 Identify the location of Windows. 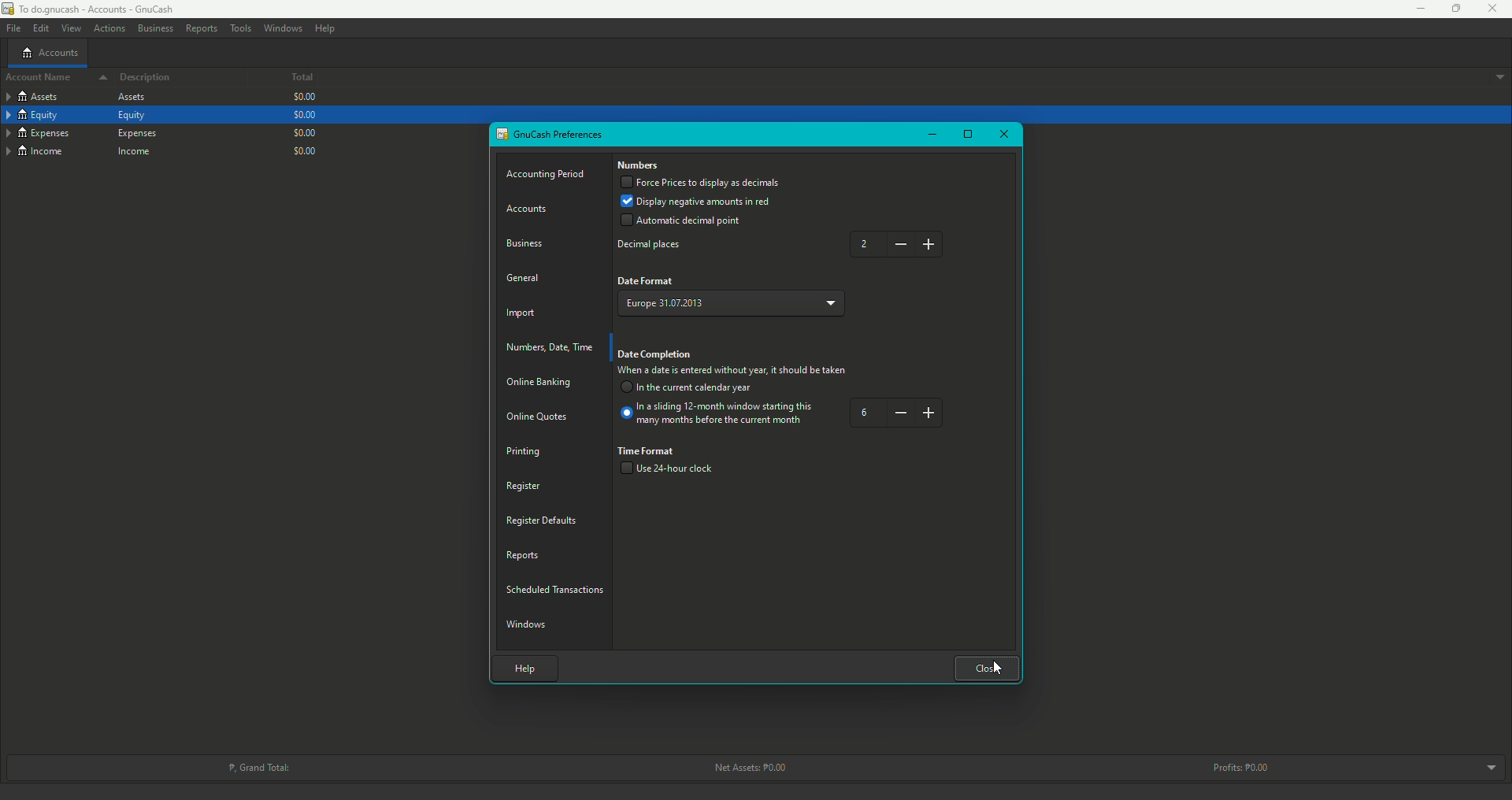
(283, 28).